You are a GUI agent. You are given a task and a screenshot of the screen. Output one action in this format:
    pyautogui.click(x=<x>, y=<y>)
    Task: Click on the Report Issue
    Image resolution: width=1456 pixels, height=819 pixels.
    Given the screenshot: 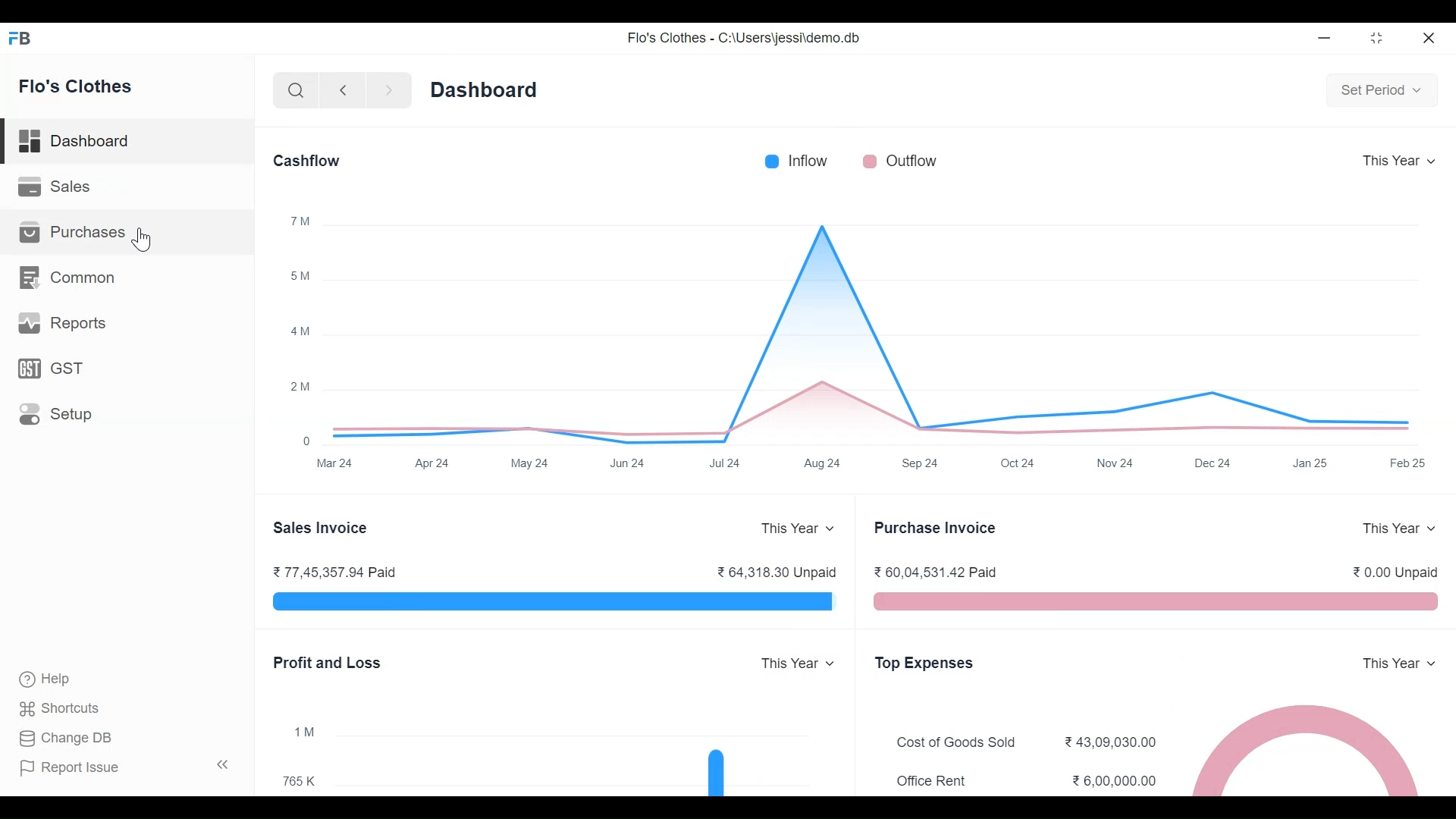 What is the action you would take?
    pyautogui.click(x=126, y=766)
    